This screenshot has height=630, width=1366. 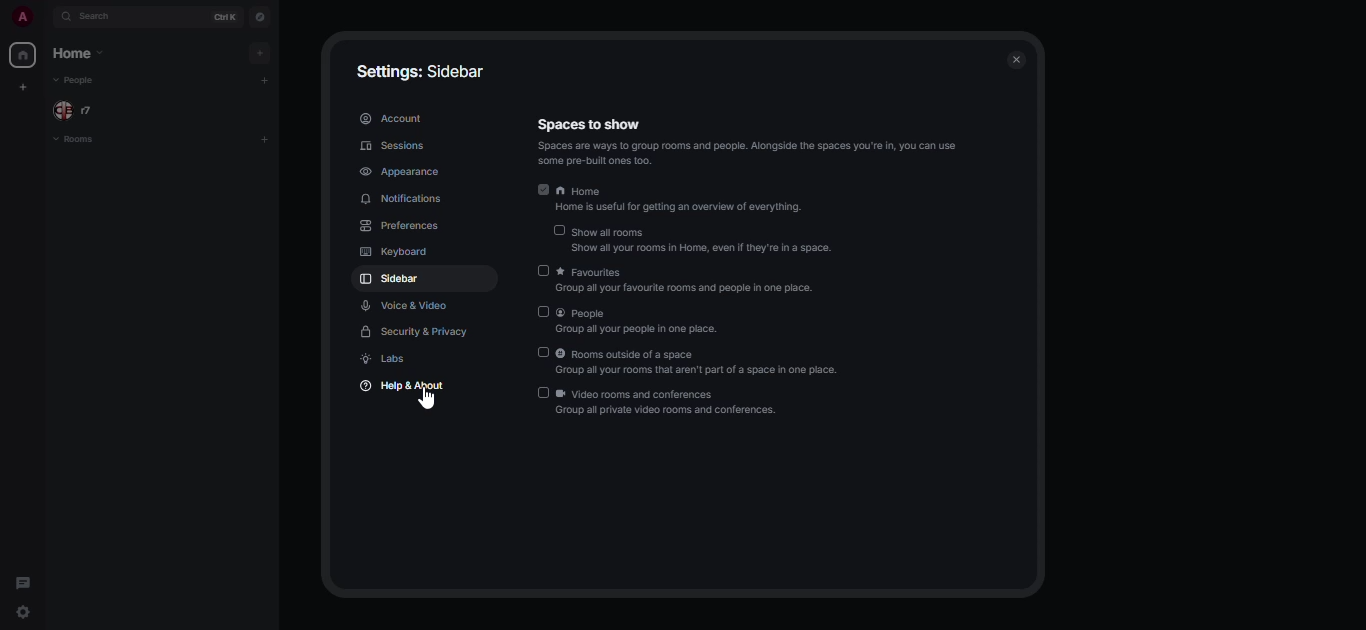 What do you see at coordinates (693, 239) in the screenshot?
I see `‘Show all rooms
Show ail your rooms in Home, even if they're ina space.` at bounding box center [693, 239].